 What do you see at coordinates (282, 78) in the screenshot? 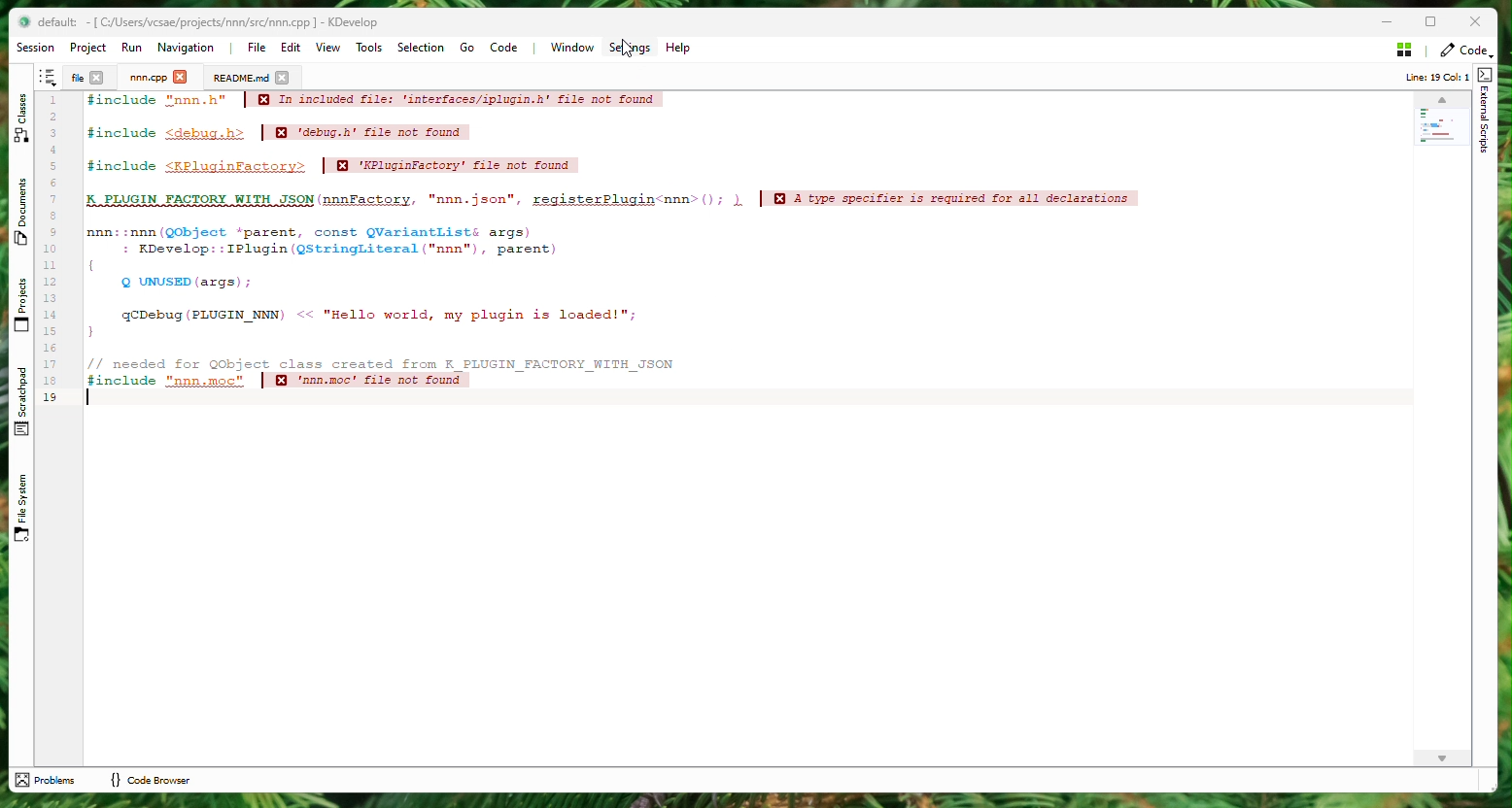
I see `close` at bounding box center [282, 78].